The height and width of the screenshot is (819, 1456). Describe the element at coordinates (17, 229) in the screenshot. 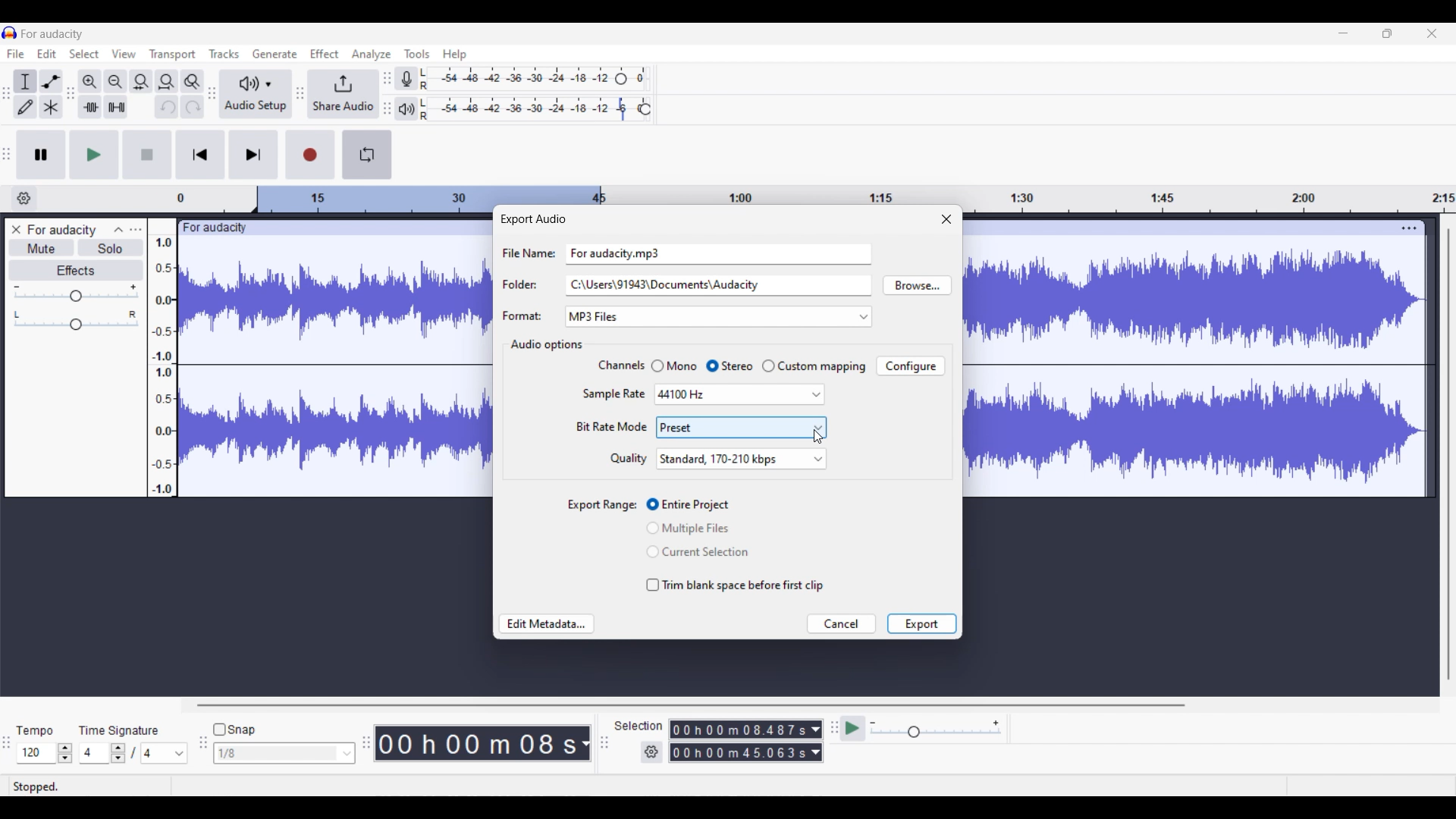

I see `Close track` at that location.